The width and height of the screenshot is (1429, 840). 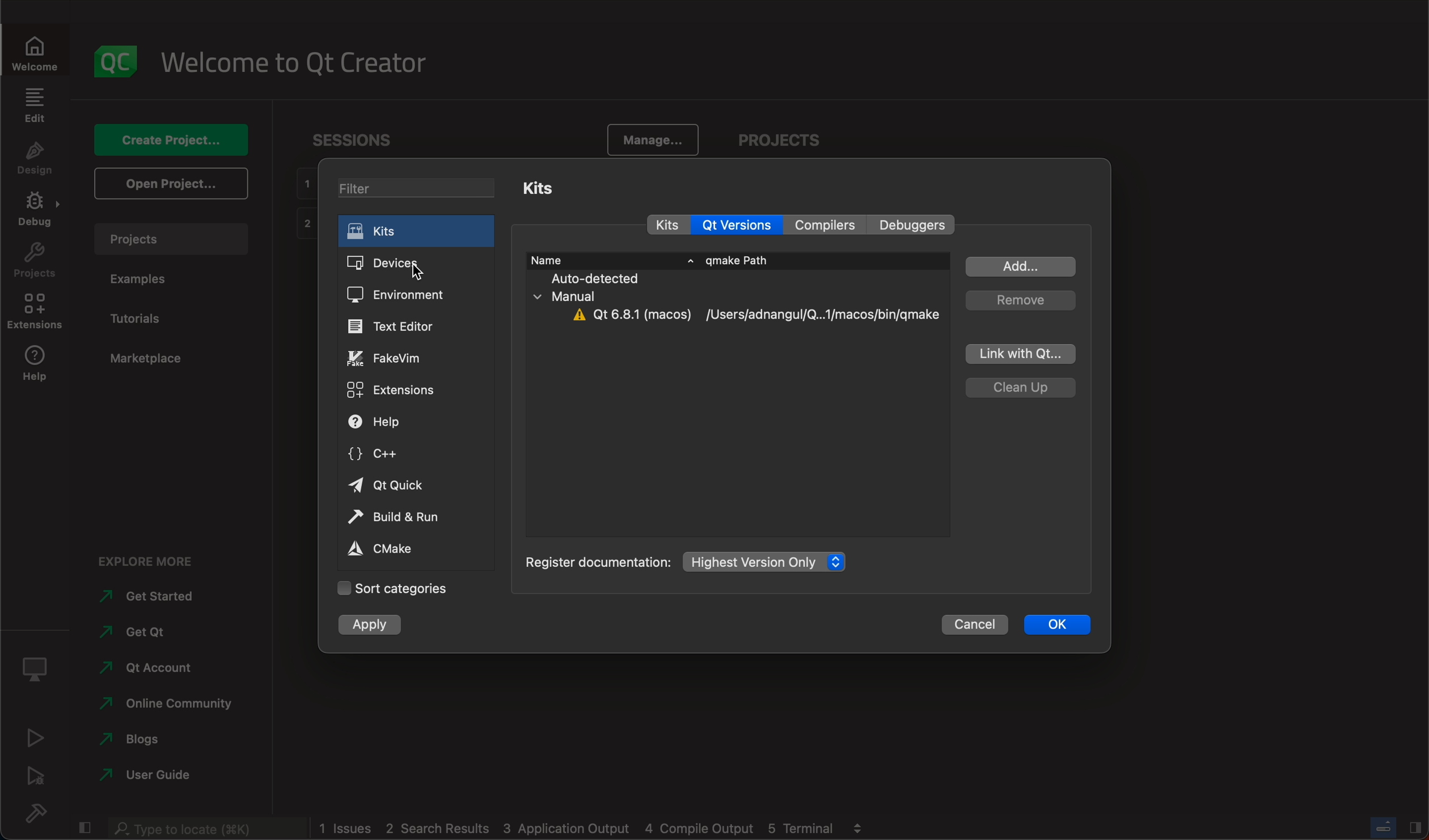 I want to click on examples, so click(x=141, y=280).